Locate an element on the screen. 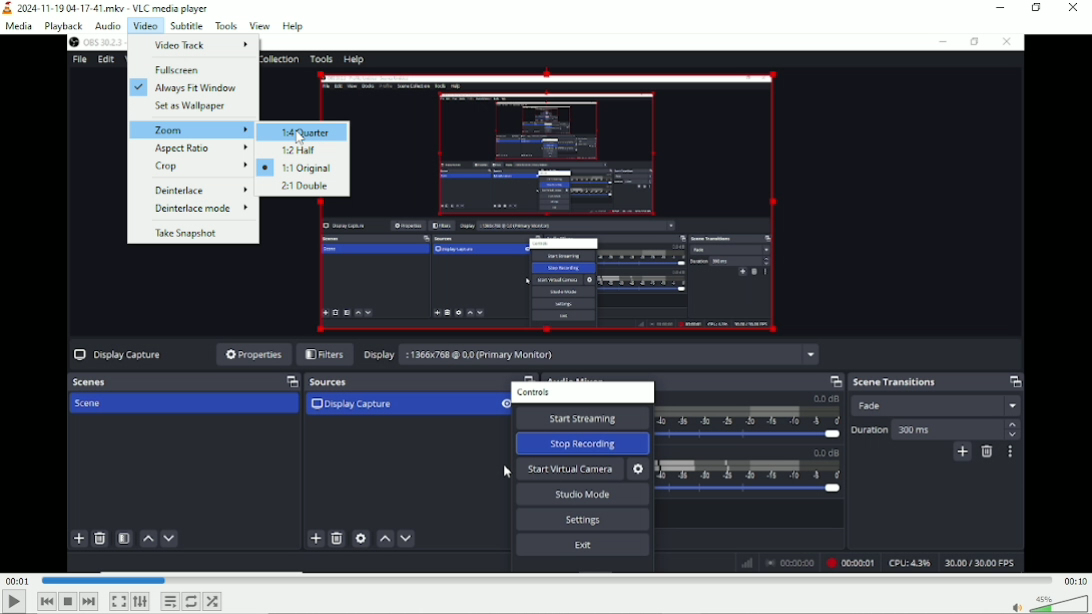 The width and height of the screenshot is (1092, 614). quarter is located at coordinates (304, 132).